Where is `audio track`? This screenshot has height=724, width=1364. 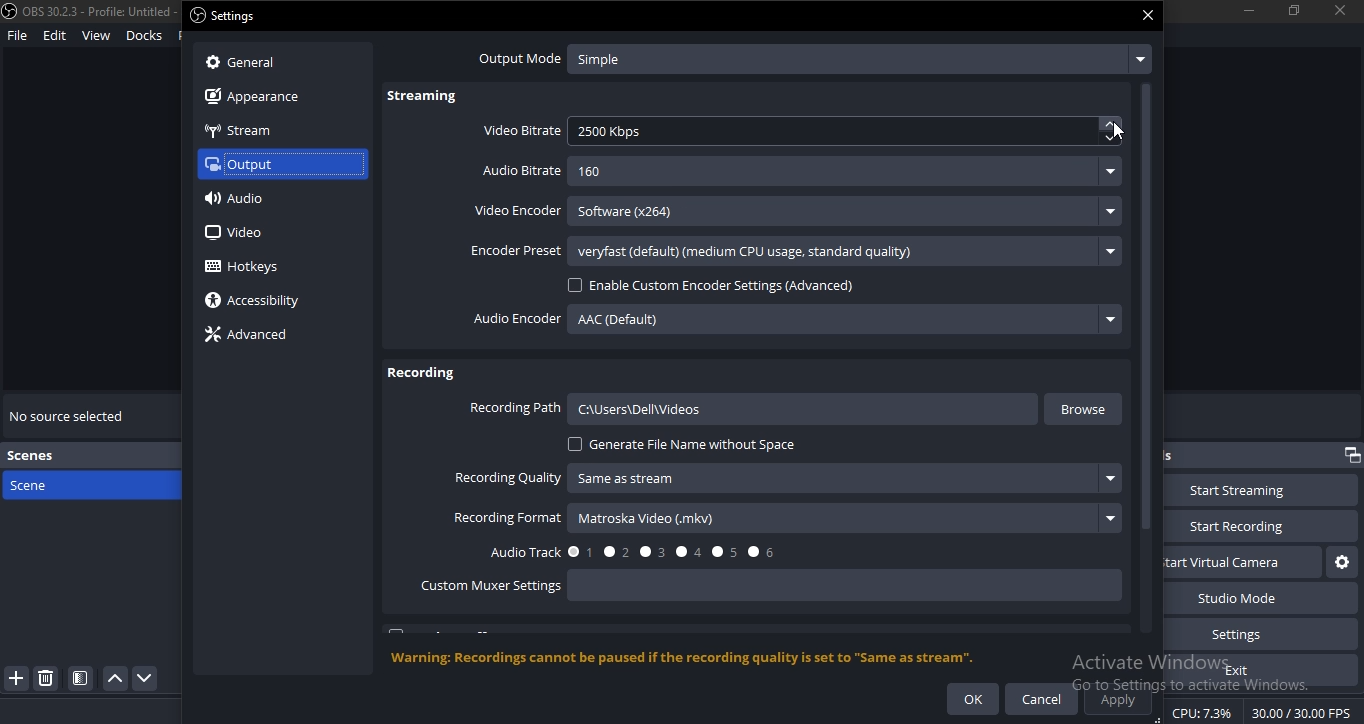
audio track is located at coordinates (640, 552).